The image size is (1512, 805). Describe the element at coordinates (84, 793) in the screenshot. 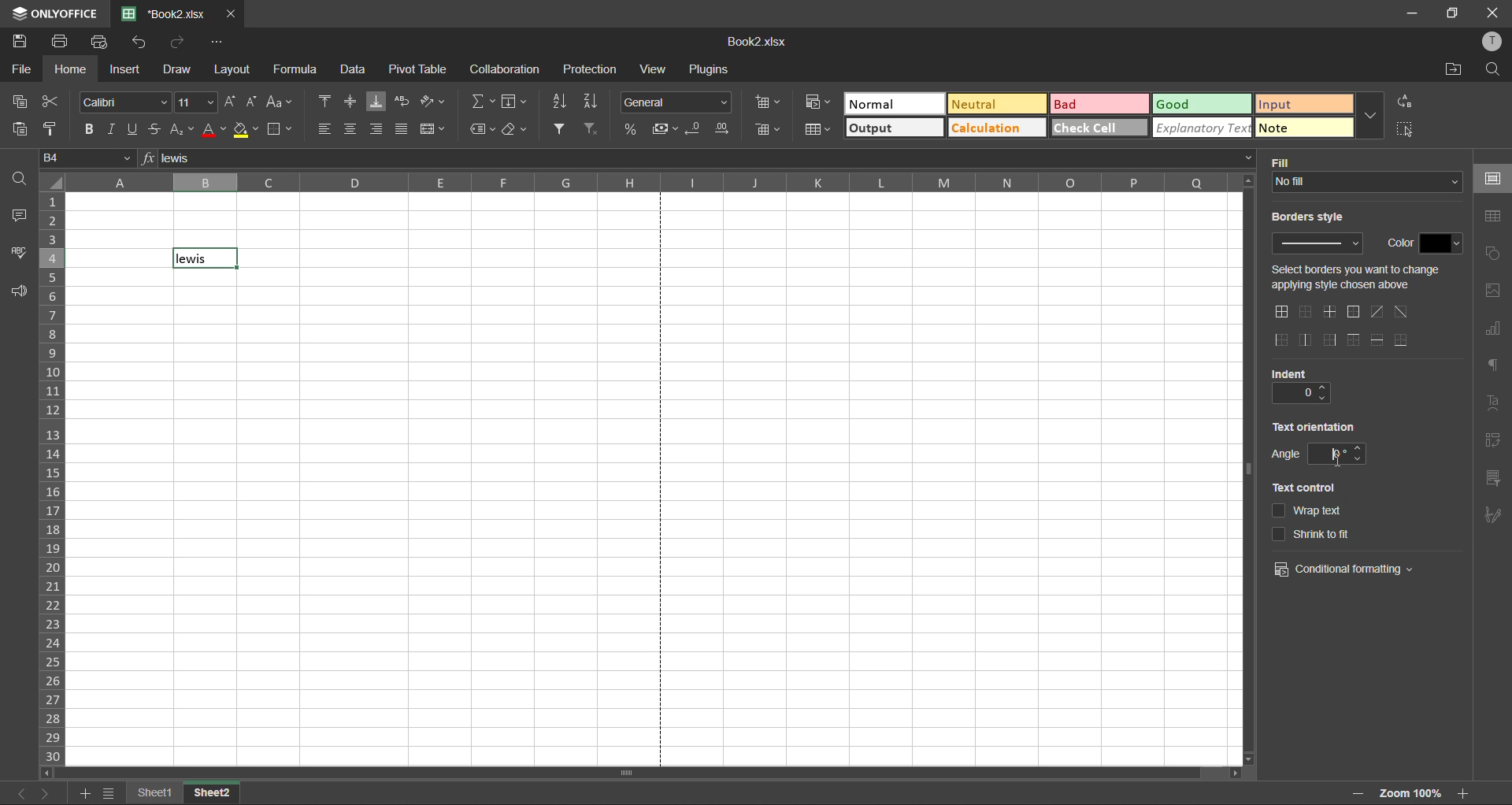

I see `add sheet` at that location.